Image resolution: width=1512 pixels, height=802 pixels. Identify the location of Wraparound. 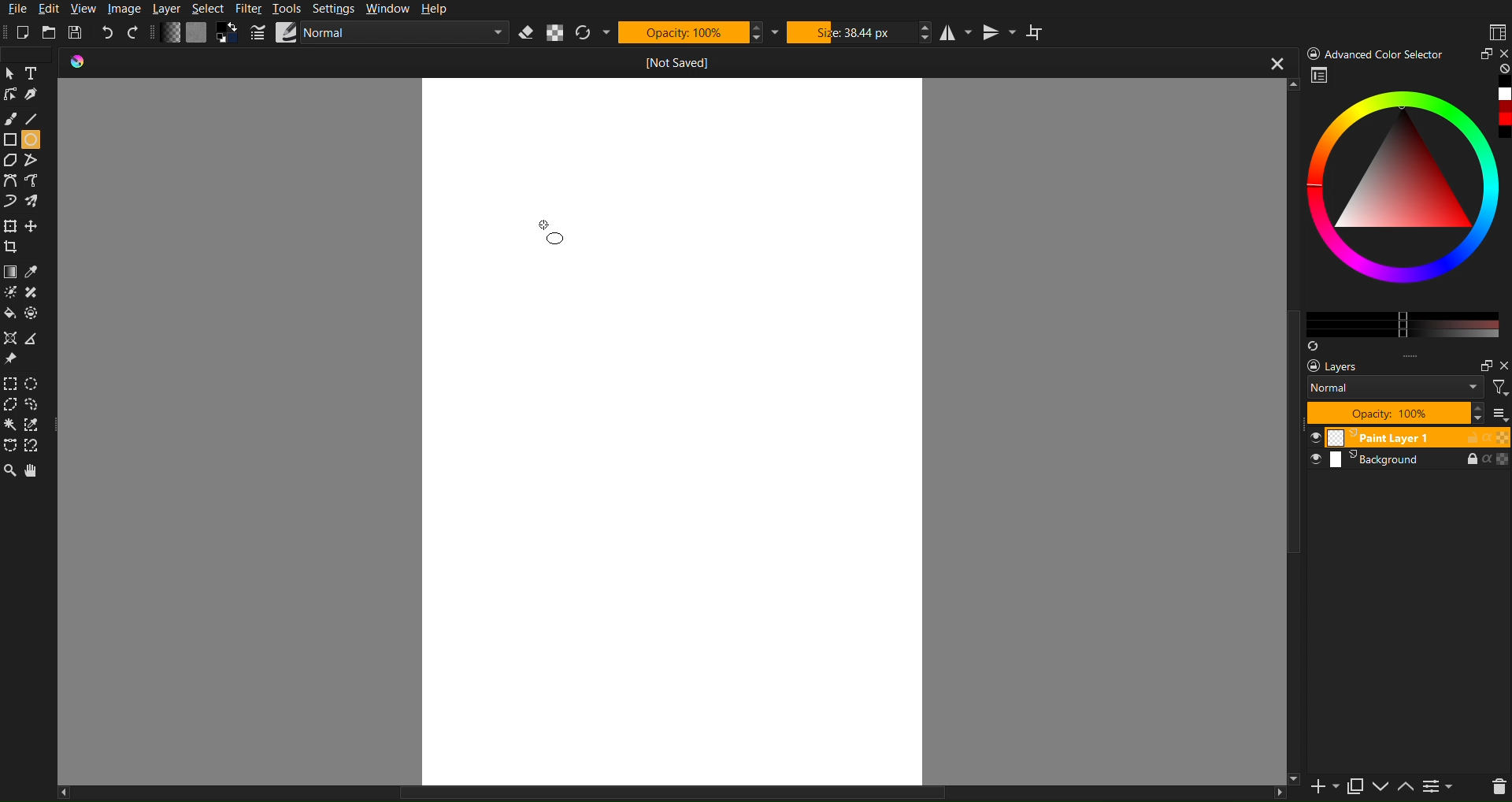
(1044, 31).